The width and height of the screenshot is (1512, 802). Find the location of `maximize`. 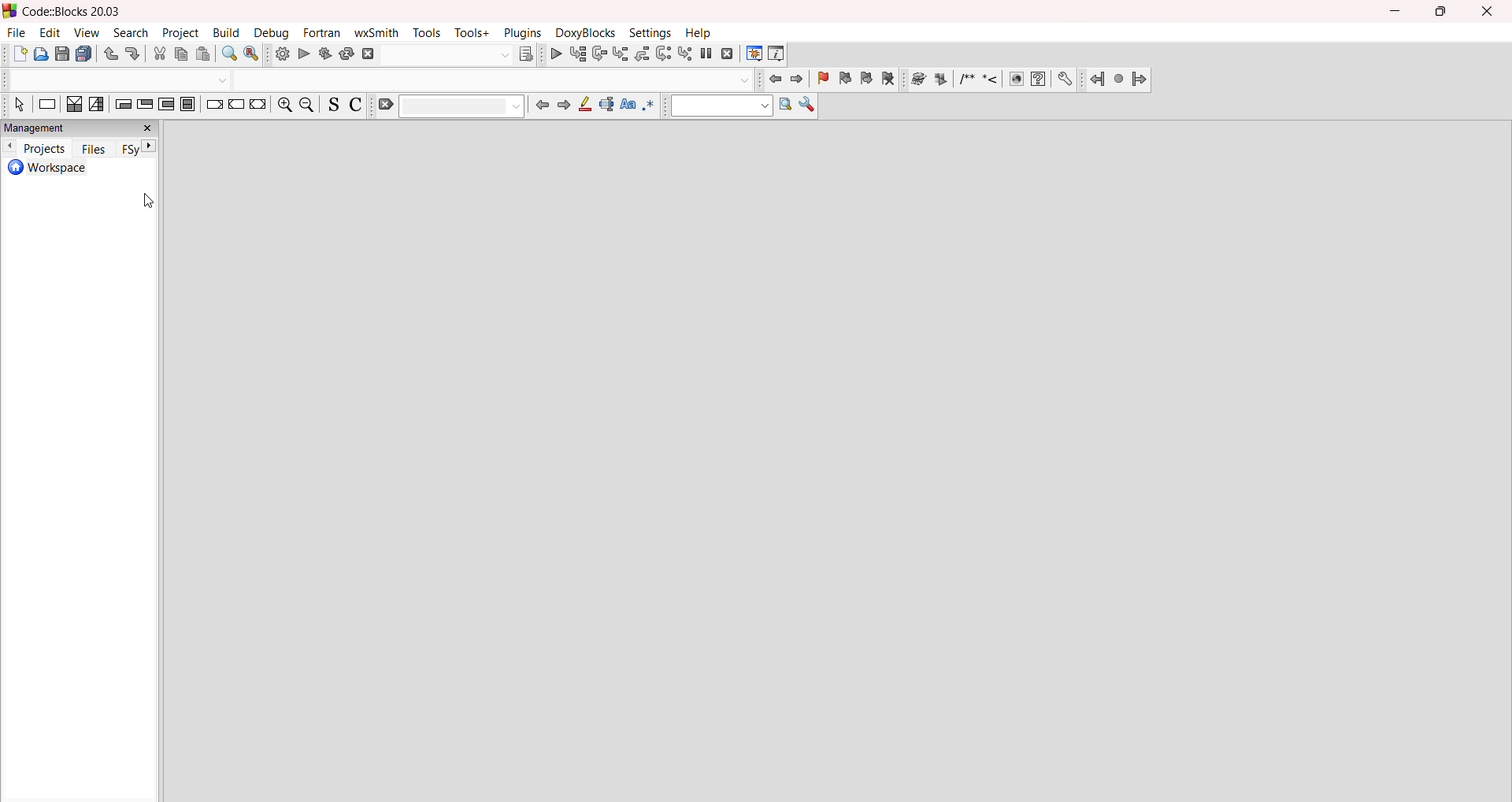

maximize is located at coordinates (1443, 13).